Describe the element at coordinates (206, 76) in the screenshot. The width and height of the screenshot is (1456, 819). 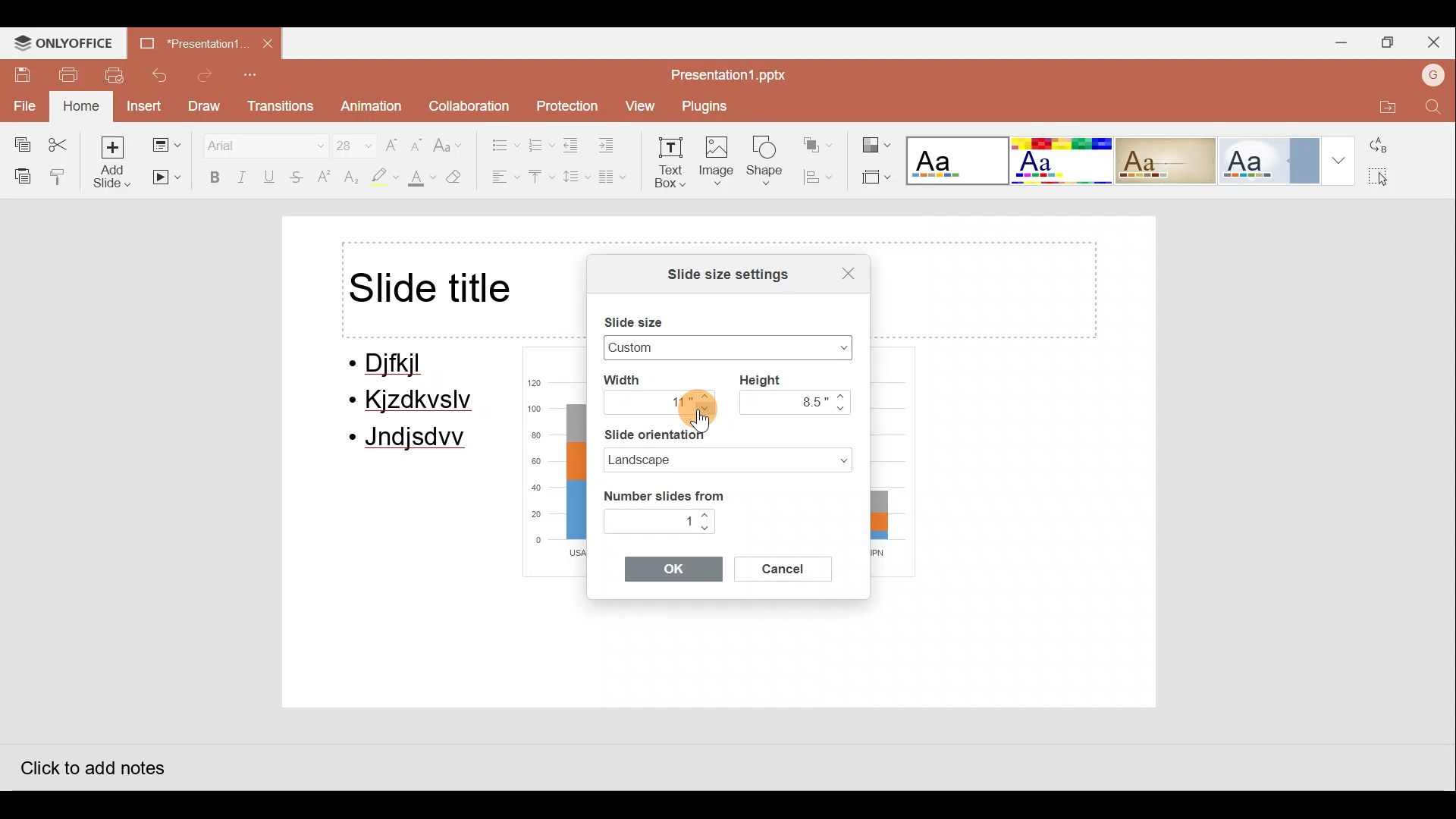
I see `Redo` at that location.